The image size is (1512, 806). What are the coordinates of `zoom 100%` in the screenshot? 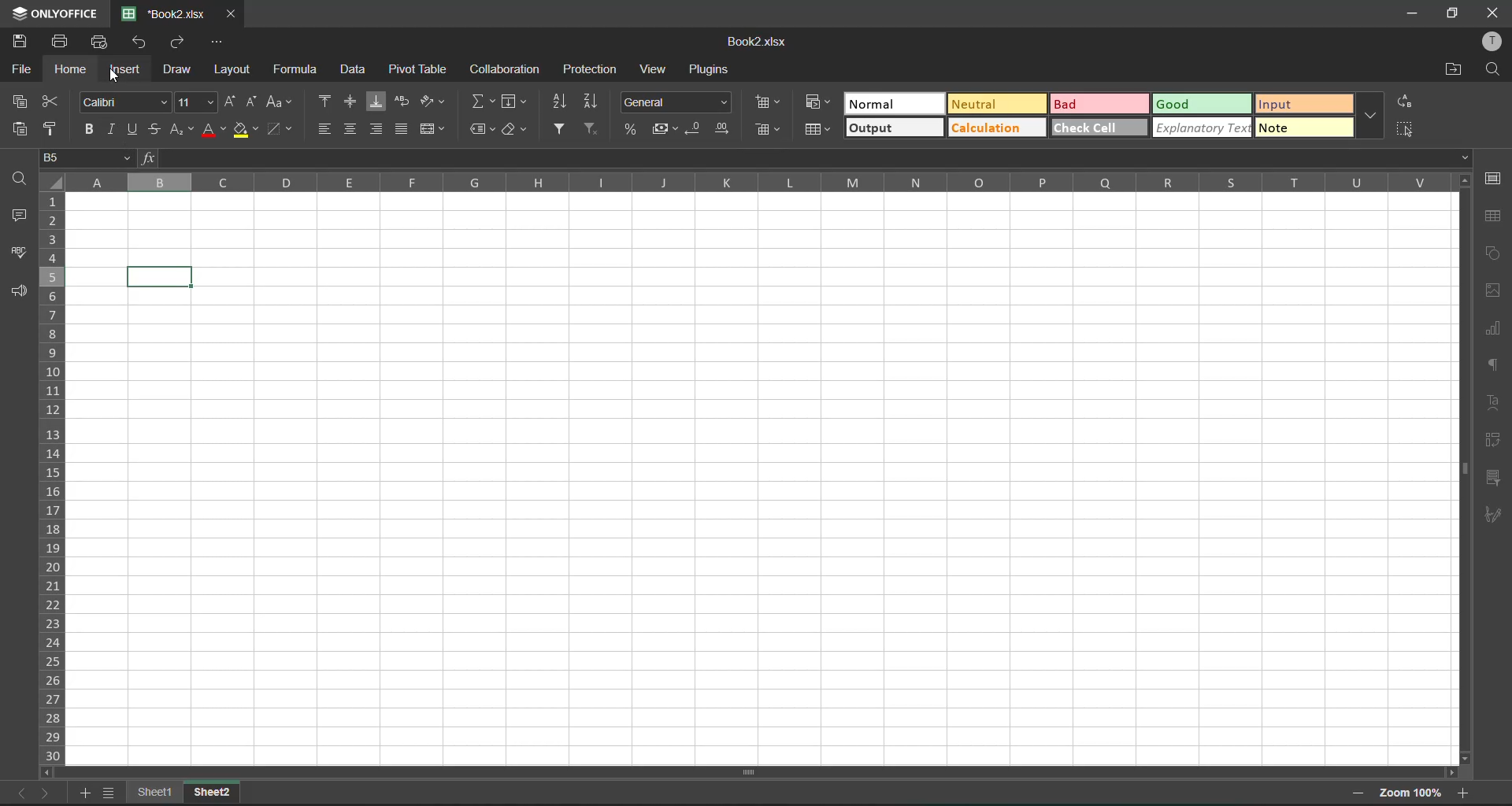 It's located at (1411, 794).